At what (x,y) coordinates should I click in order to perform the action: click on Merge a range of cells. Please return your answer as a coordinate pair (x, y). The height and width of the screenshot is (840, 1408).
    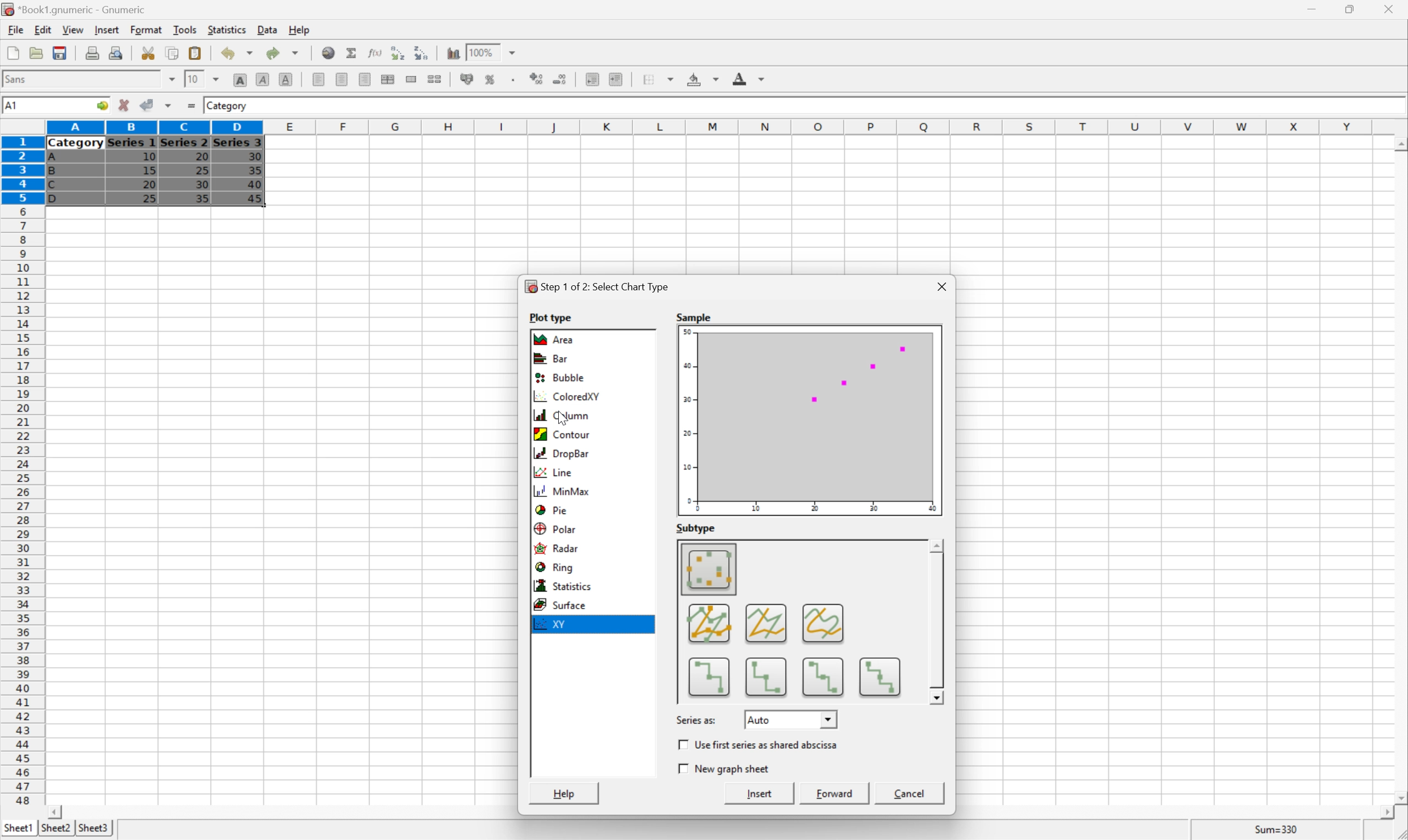
    Looking at the image, I should click on (410, 79).